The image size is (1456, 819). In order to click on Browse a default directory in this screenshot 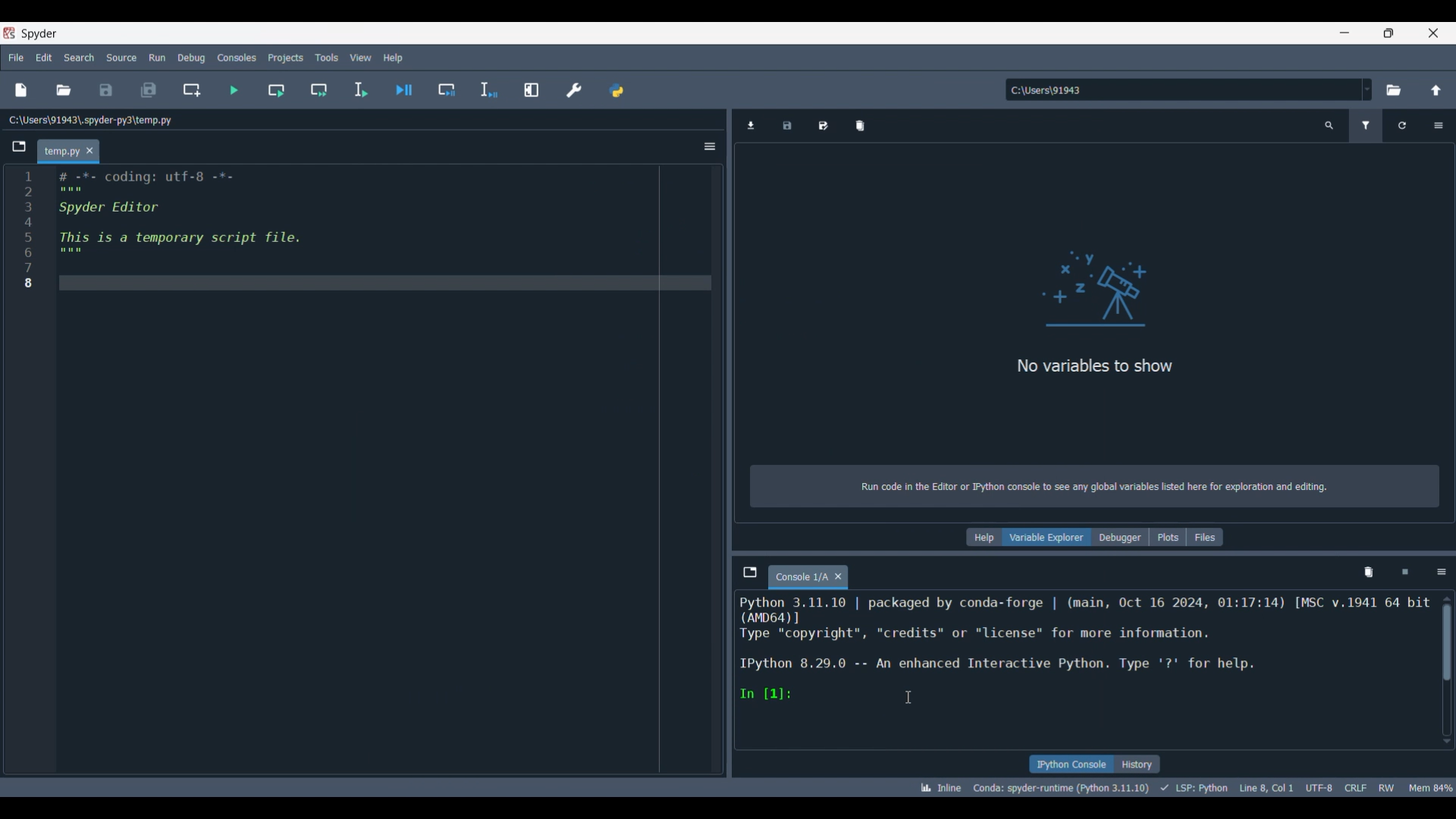, I will do `click(1394, 90)`.